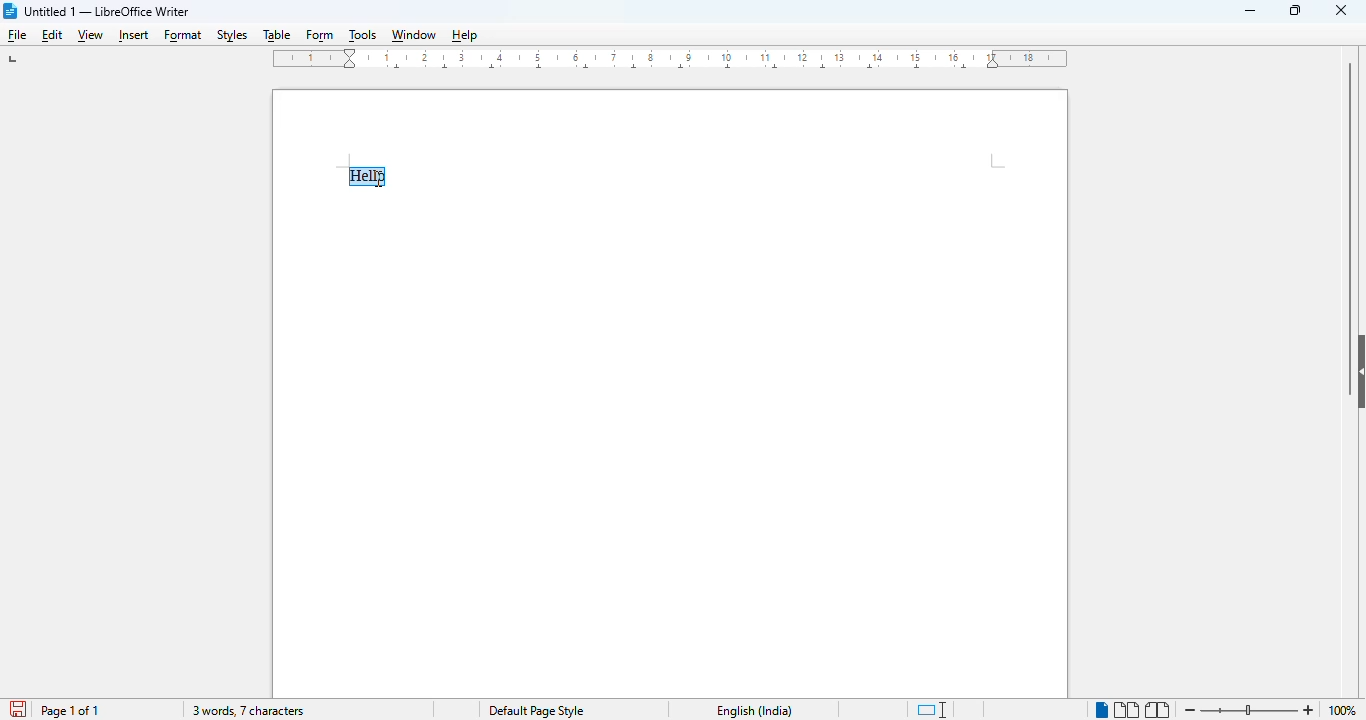 The height and width of the screenshot is (720, 1366). What do you see at coordinates (131, 36) in the screenshot?
I see `insert` at bounding box center [131, 36].